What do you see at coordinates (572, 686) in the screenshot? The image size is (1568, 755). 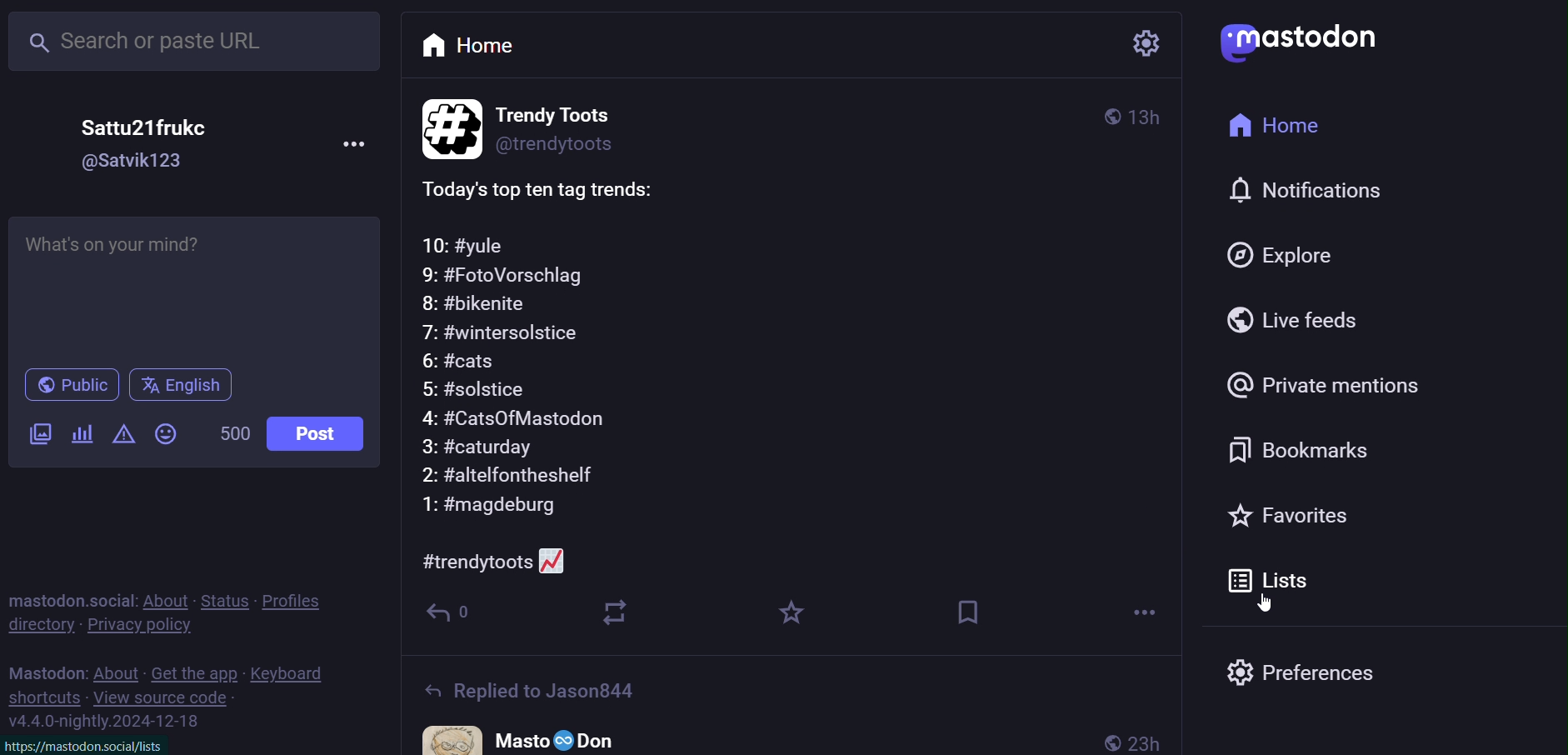 I see `Replied to Jason844` at bounding box center [572, 686].